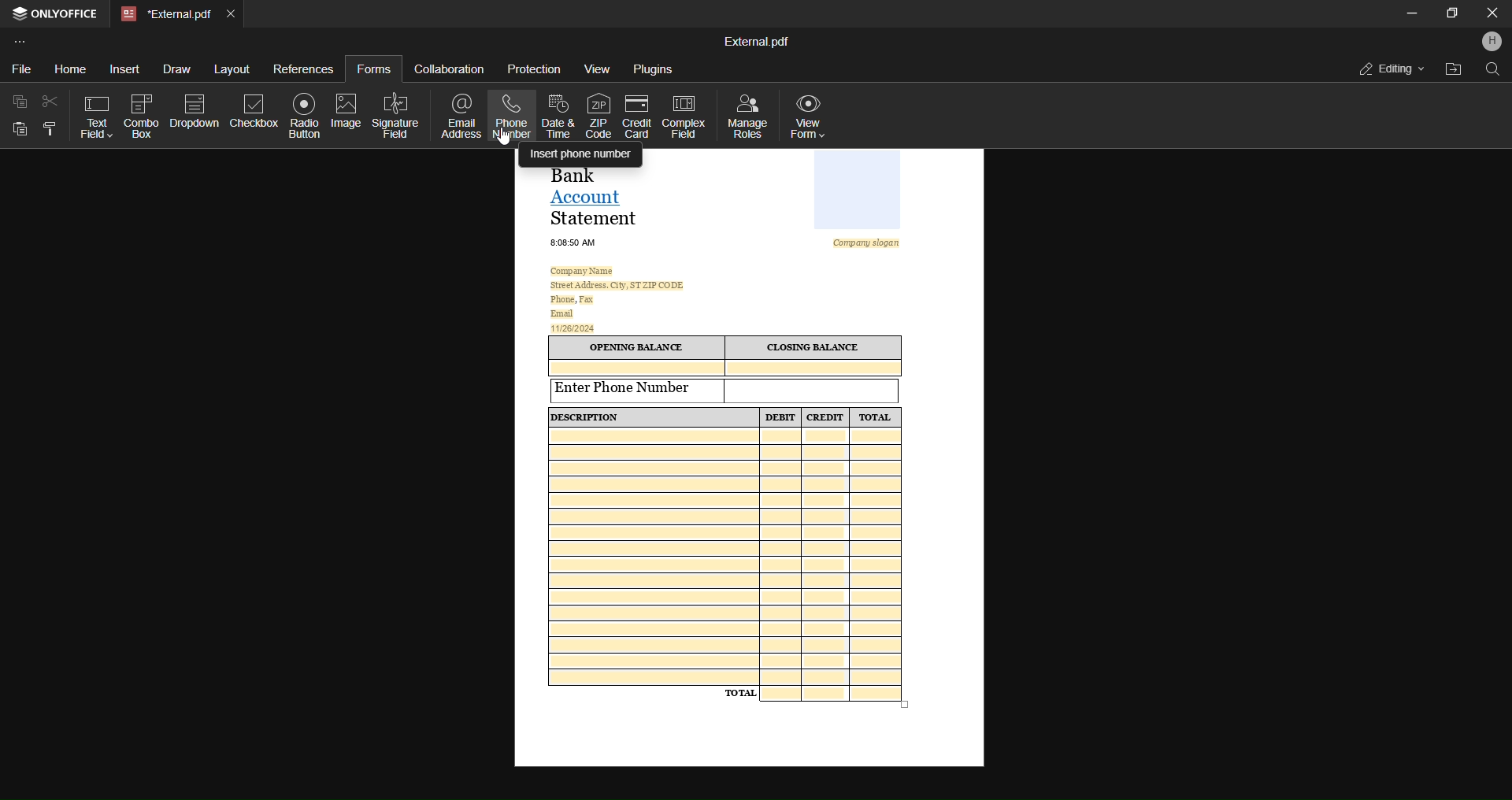 This screenshot has width=1512, height=800. What do you see at coordinates (124, 68) in the screenshot?
I see `insert` at bounding box center [124, 68].